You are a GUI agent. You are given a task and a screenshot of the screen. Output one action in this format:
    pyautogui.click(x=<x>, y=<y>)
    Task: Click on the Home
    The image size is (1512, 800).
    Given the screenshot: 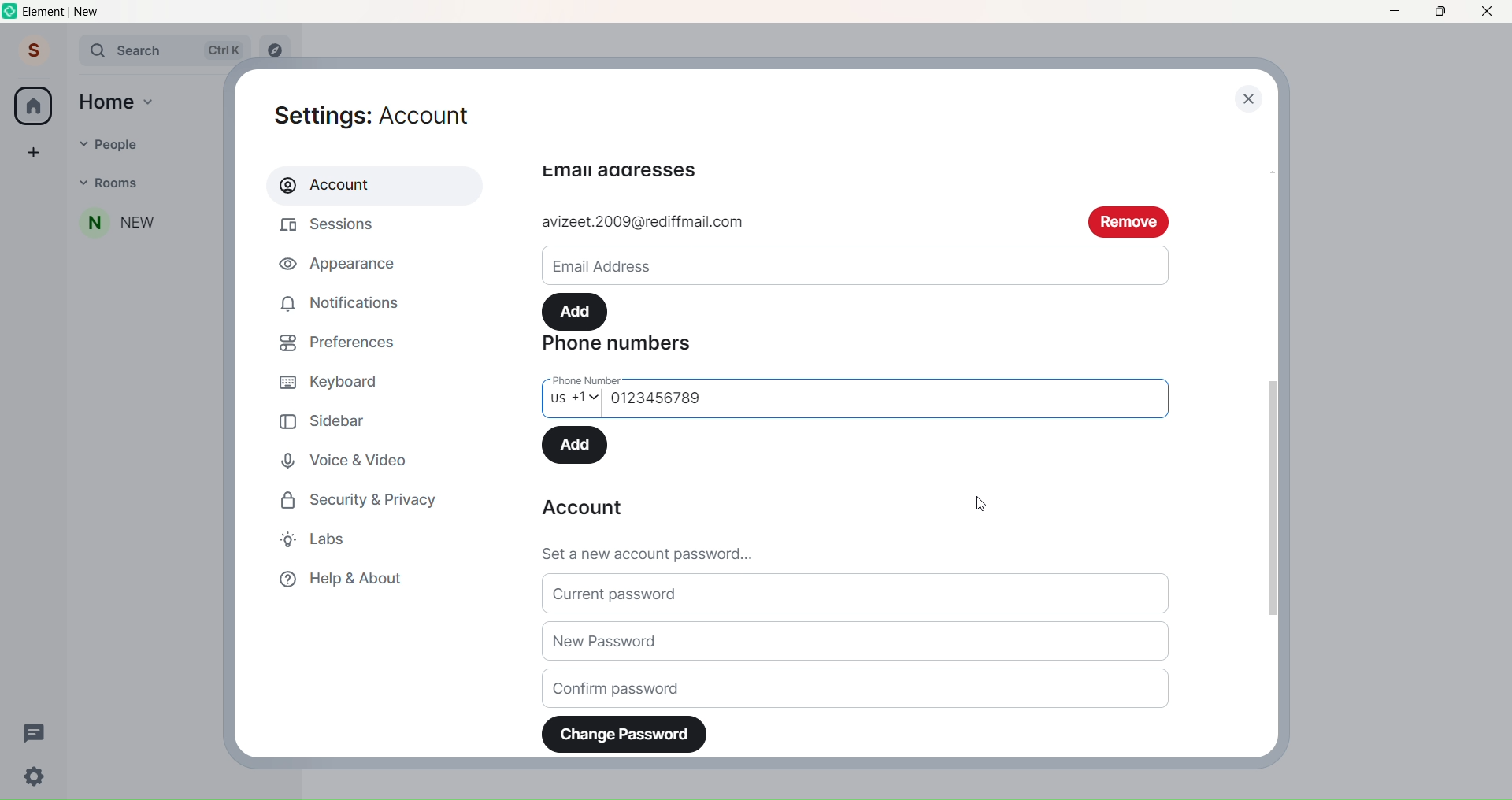 What is the action you would take?
    pyautogui.click(x=107, y=101)
    